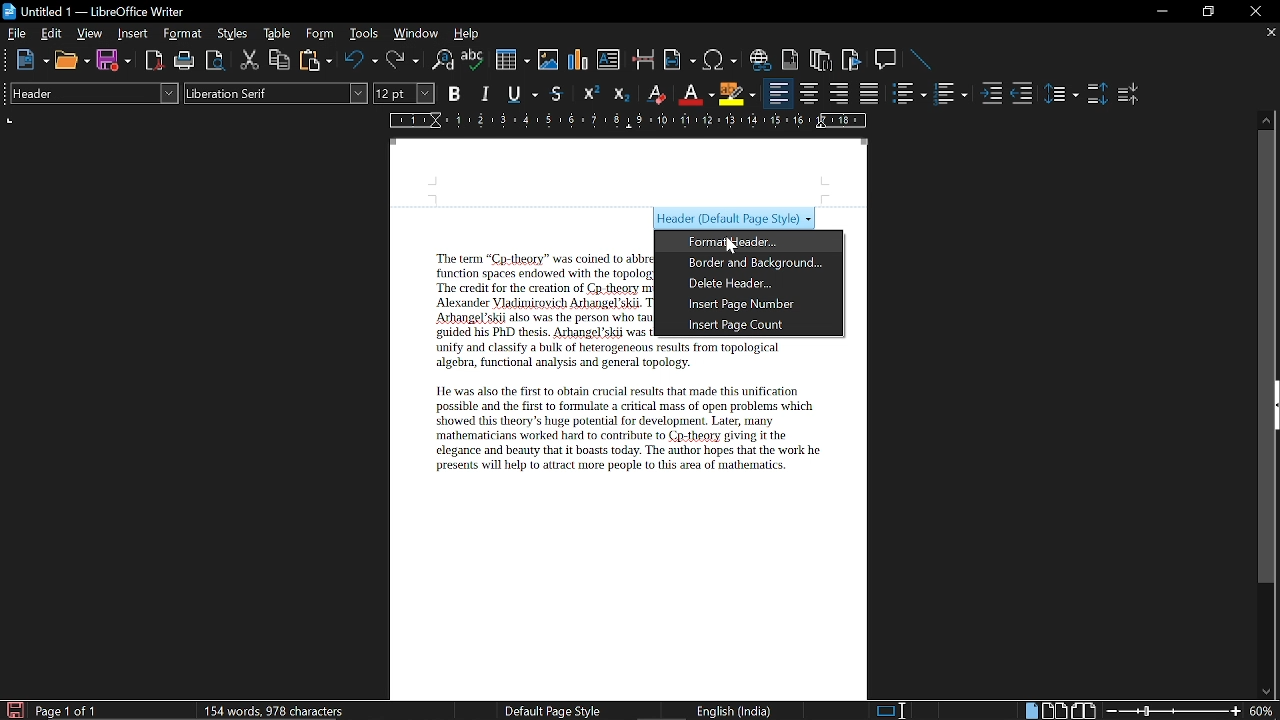  What do you see at coordinates (137, 33) in the screenshot?
I see `Insert` at bounding box center [137, 33].